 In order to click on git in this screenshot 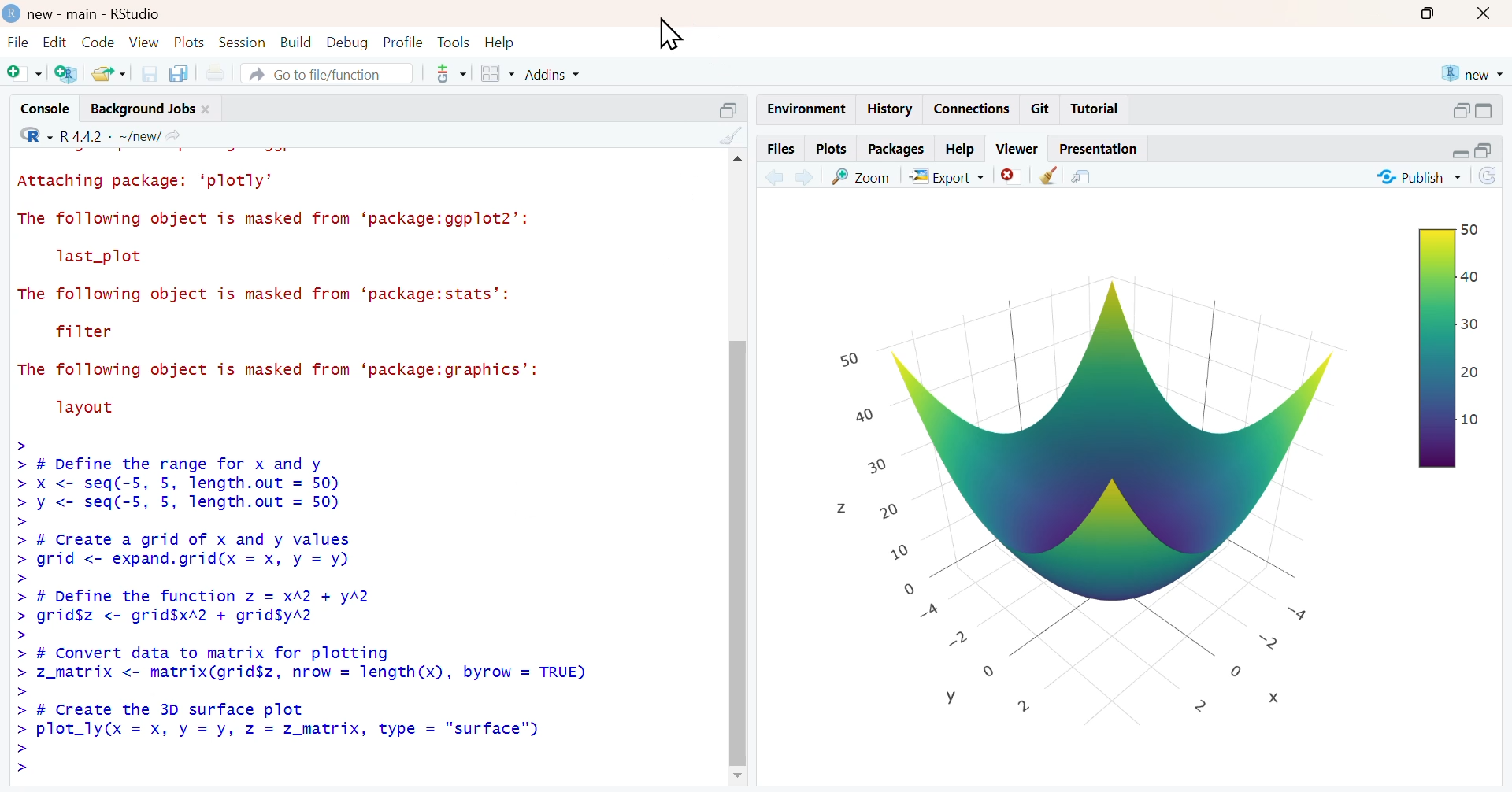, I will do `click(1041, 109)`.